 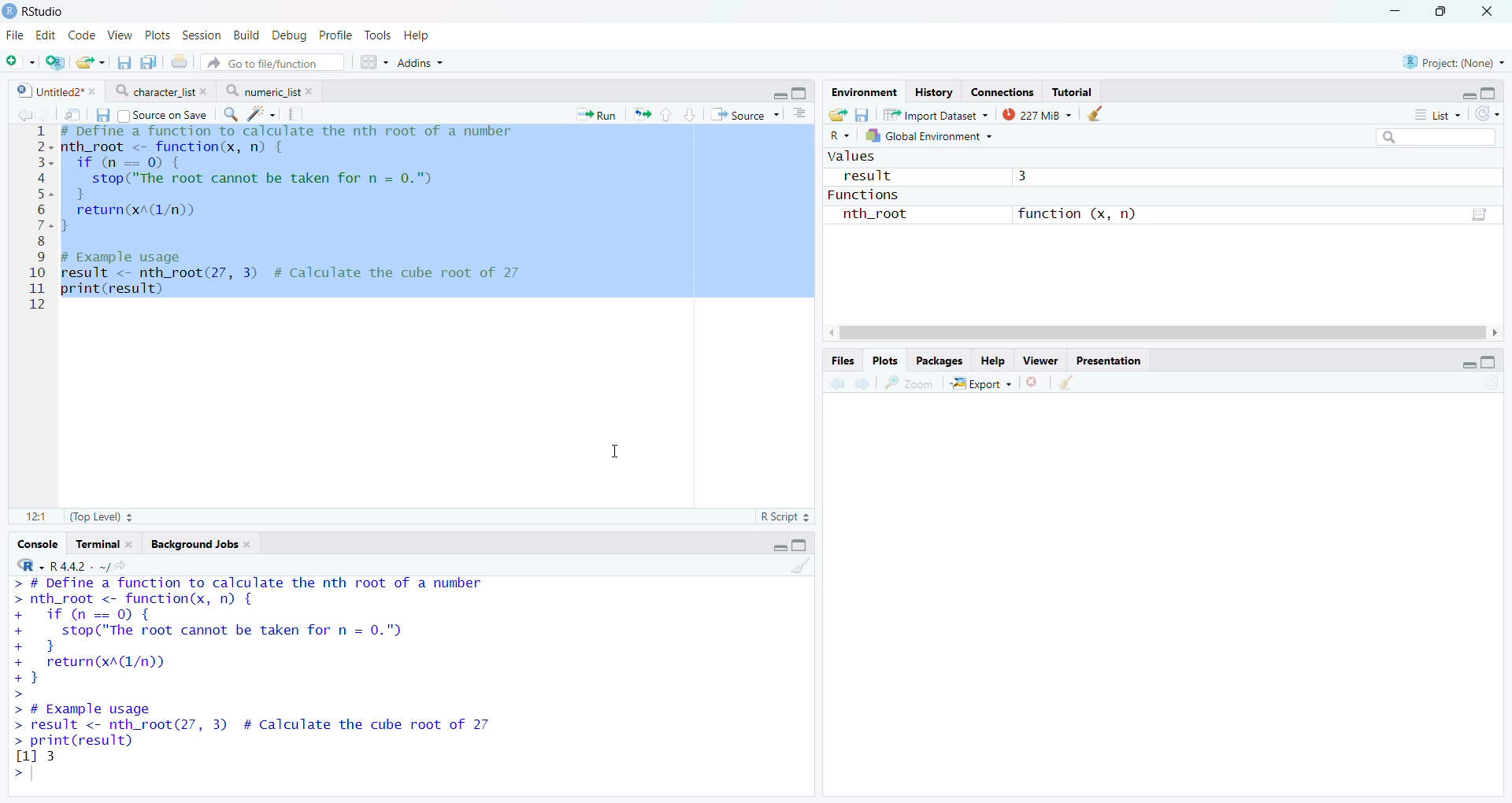 What do you see at coordinates (161, 91) in the screenshot?
I see `character list` at bounding box center [161, 91].